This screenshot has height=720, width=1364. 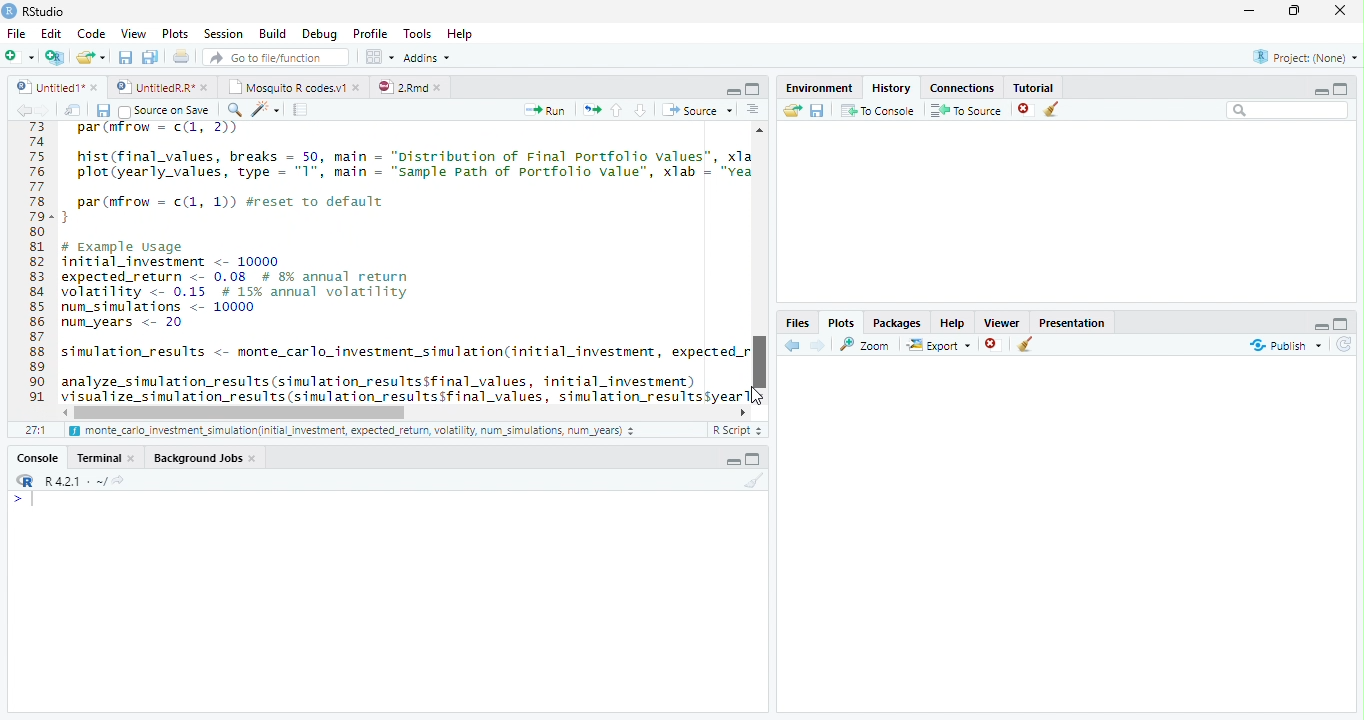 What do you see at coordinates (369, 33) in the screenshot?
I see `Profile` at bounding box center [369, 33].